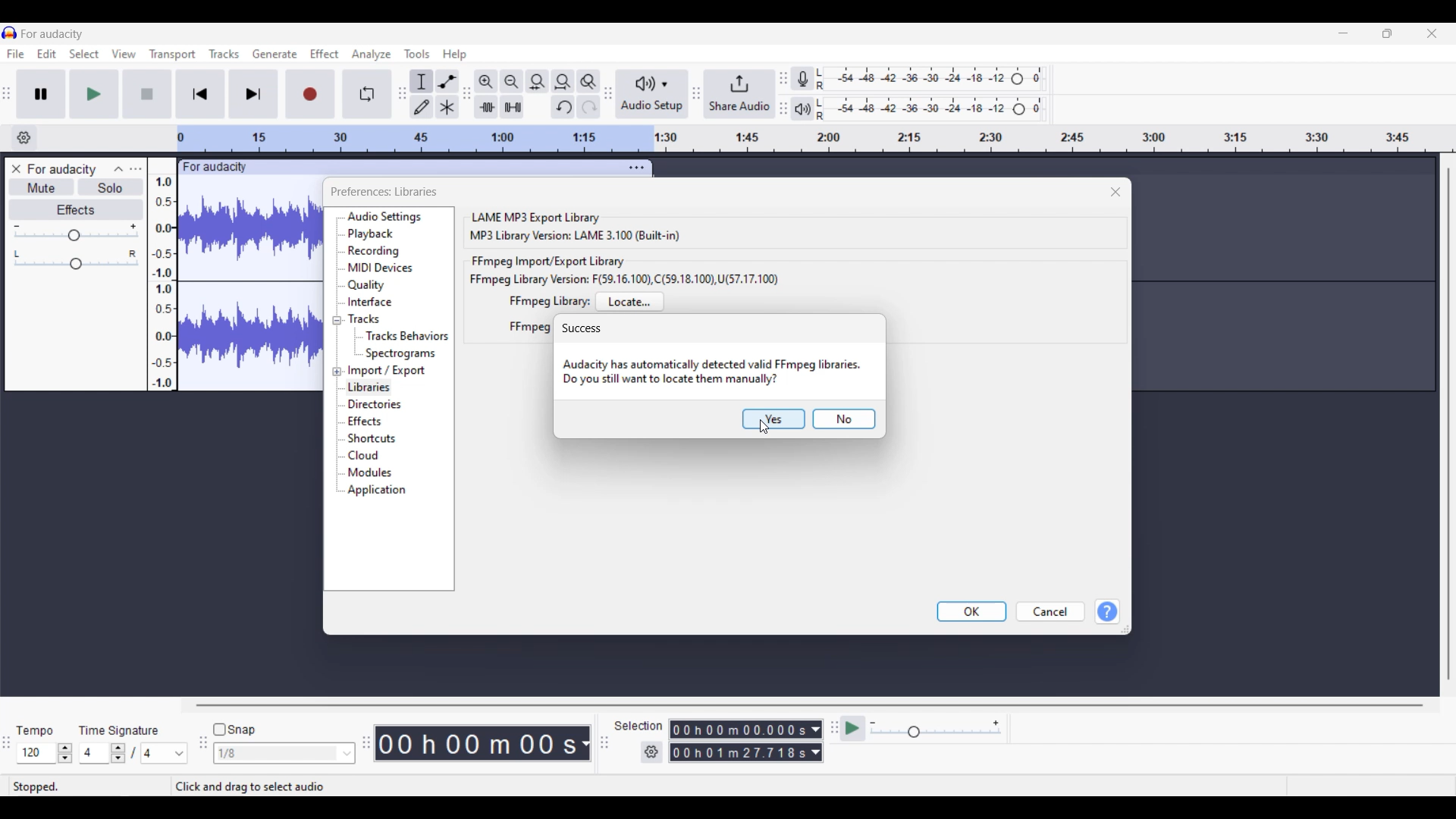 Image resolution: width=1456 pixels, height=819 pixels. Describe the element at coordinates (35, 731) in the screenshot. I see `tempo` at that location.